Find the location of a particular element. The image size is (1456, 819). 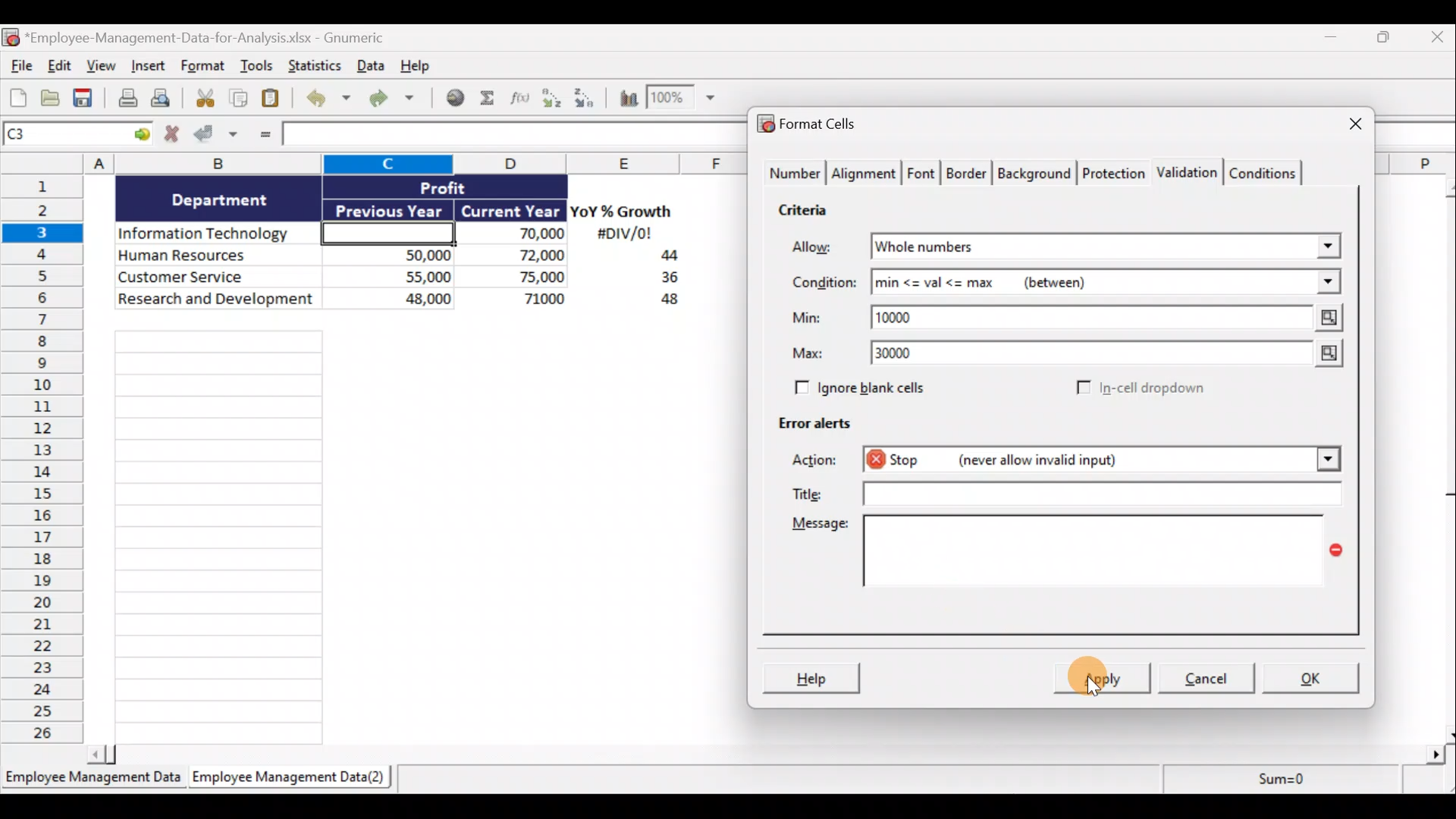

Validation is located at coordinates (1189, 171).